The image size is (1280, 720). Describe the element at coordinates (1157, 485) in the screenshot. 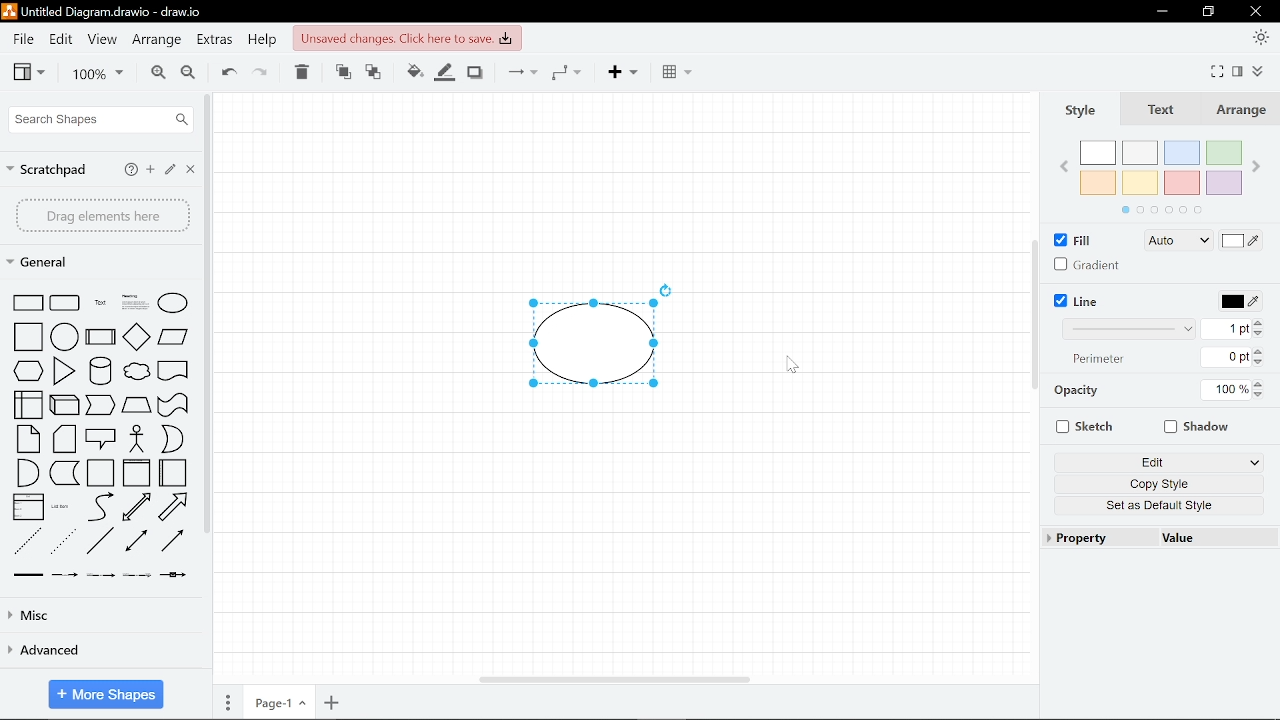

I see `Copy Style` at that location.